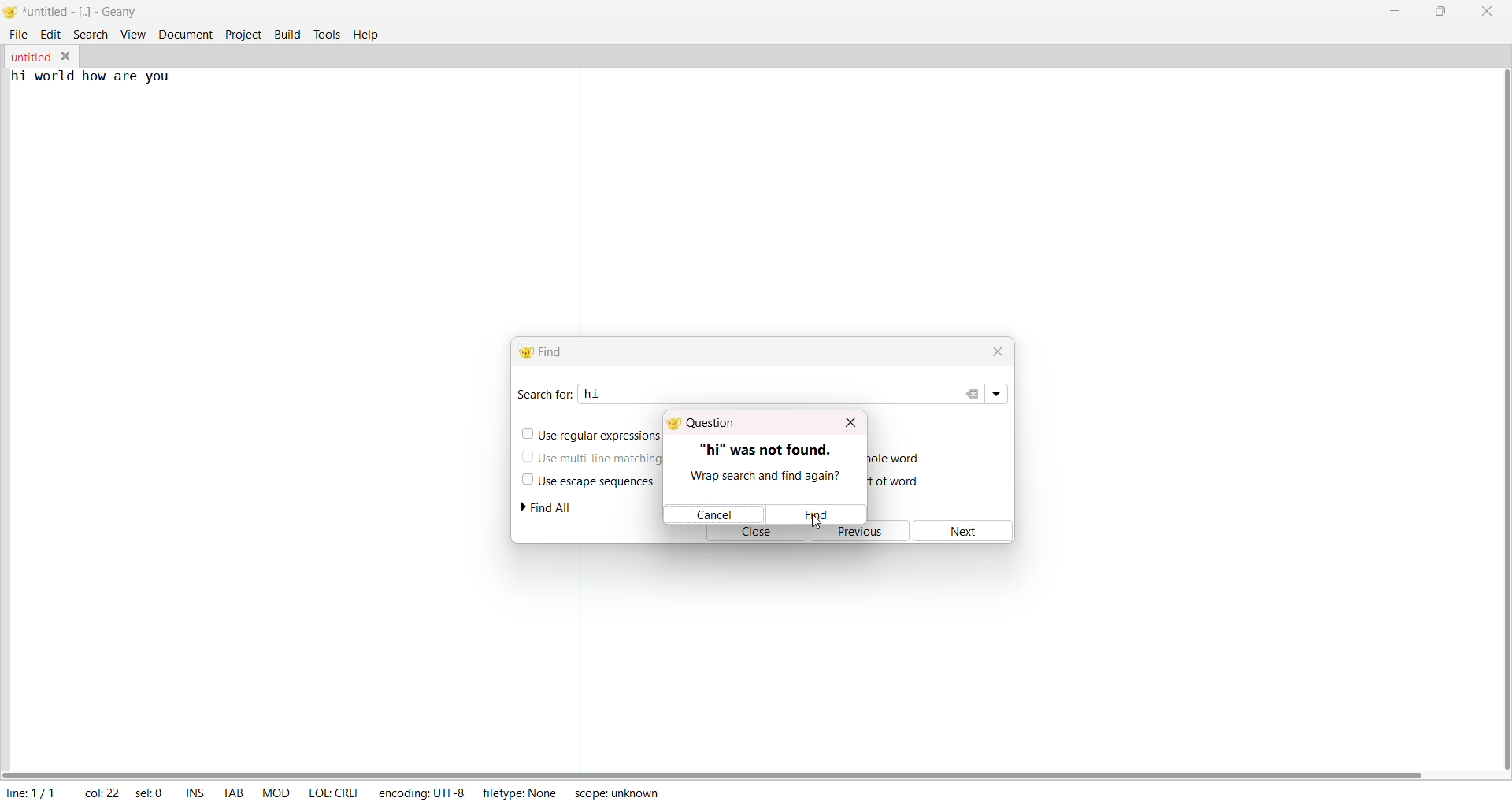  Describe the element at coordinates (863, 539) in the screenshot. I see `previous` at that location.